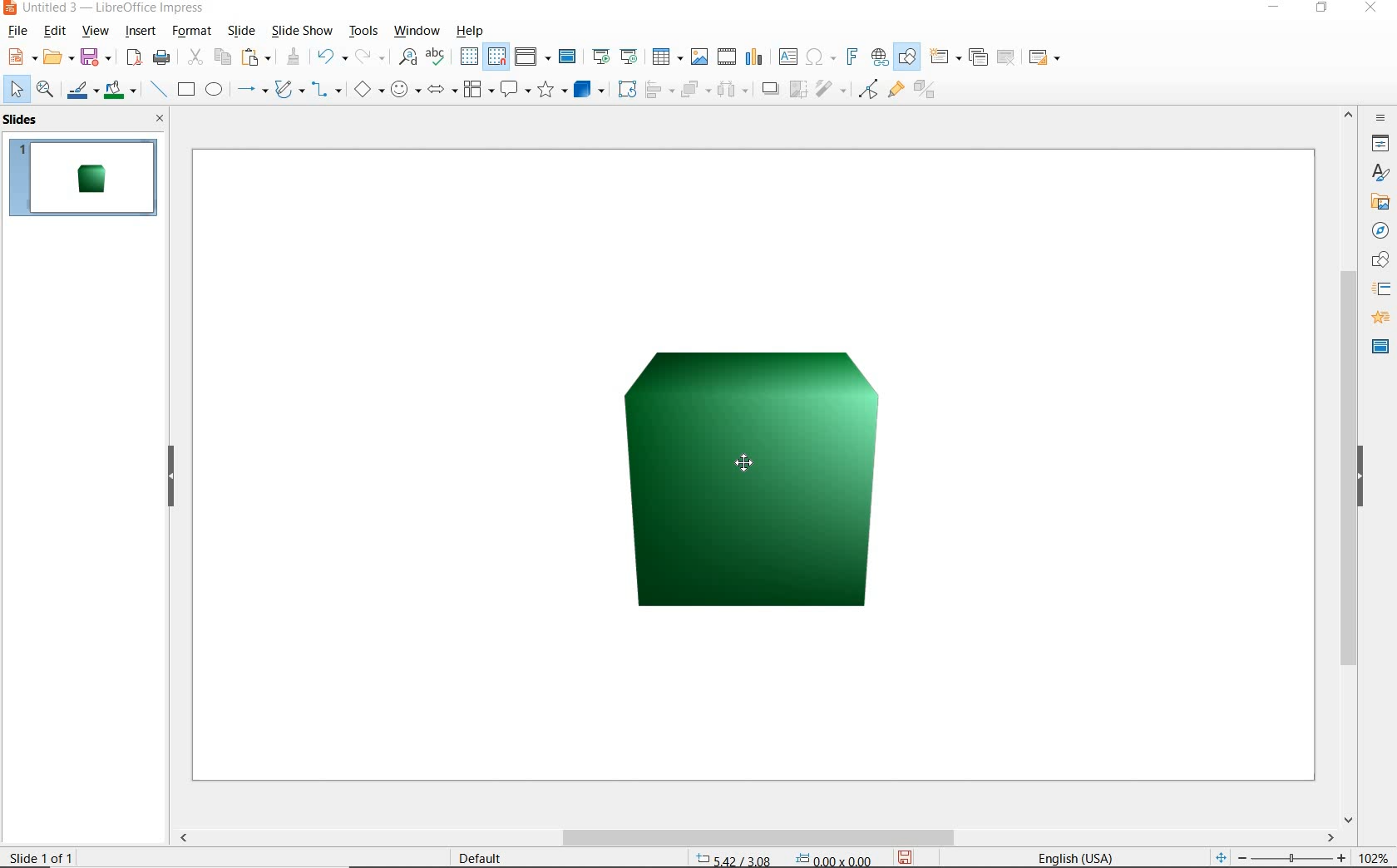  Describe the element at coordinates (666, 55) in the screenshot. I see `table` at that location.